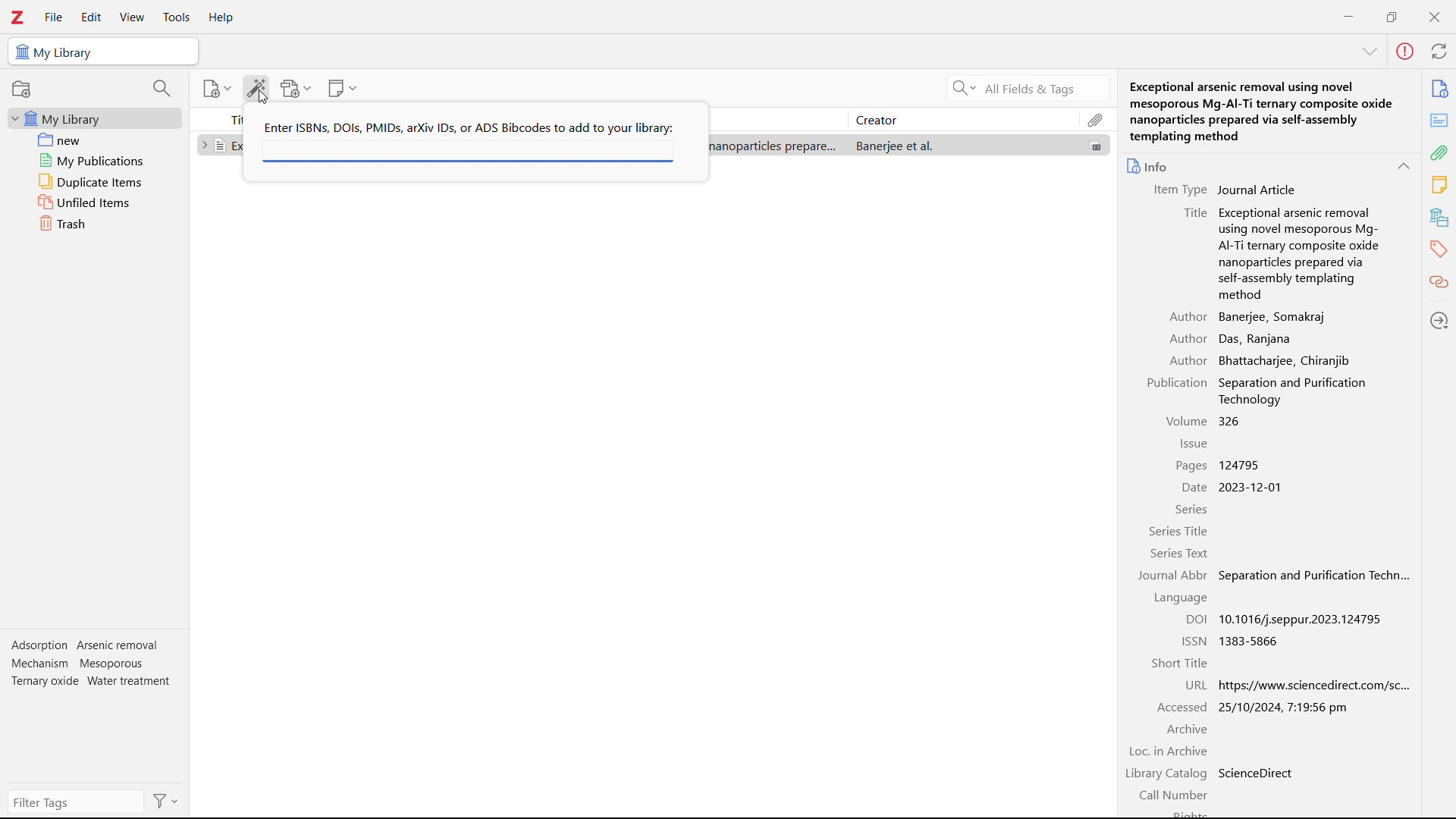  I want to click on Author, so click(1188, 316).